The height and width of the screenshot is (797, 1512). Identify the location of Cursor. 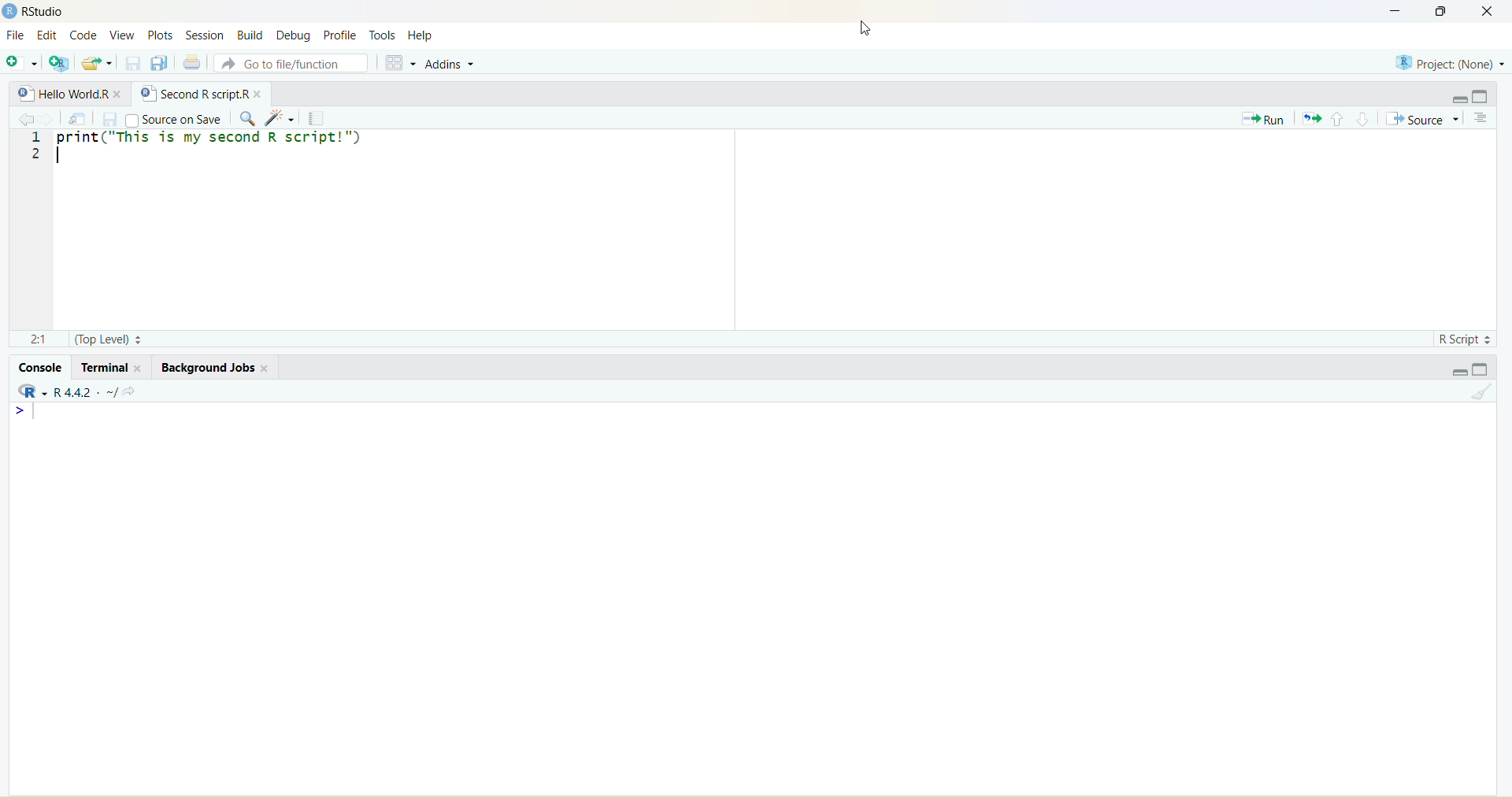
(857, 29).